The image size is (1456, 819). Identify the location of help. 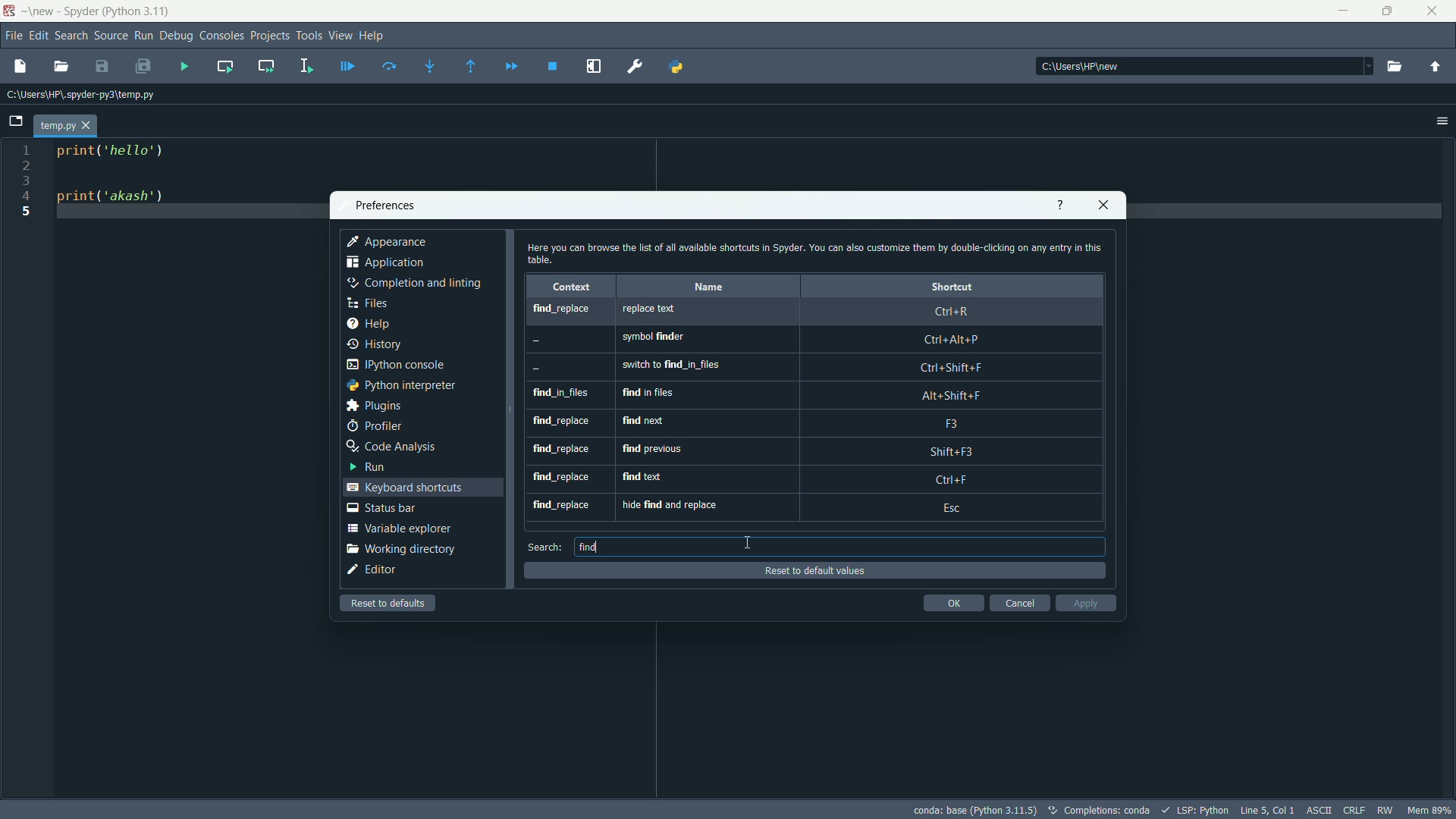
(370, 324).